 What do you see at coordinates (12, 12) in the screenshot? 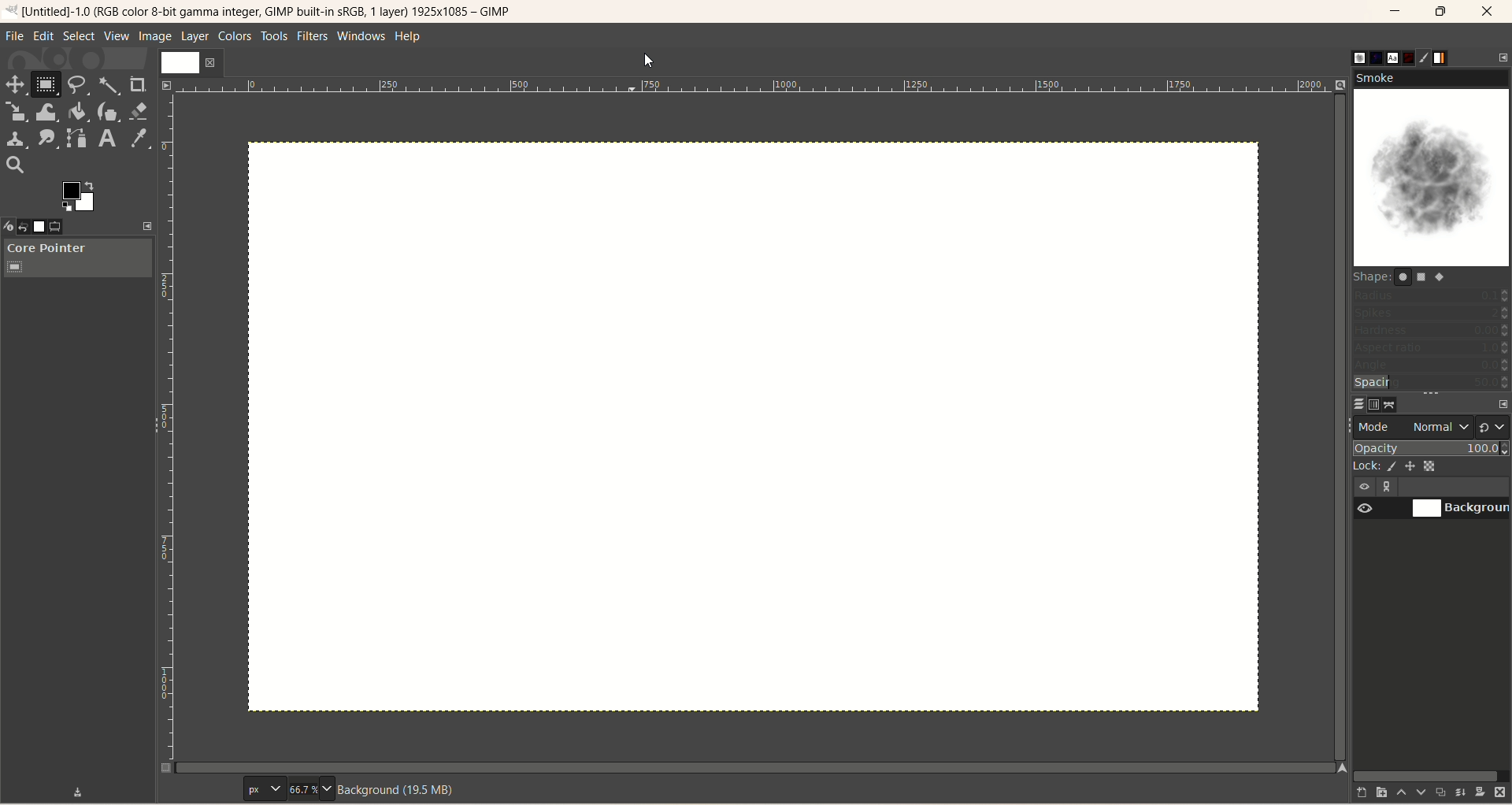
I see `logo` at bounding box center [12, 12].